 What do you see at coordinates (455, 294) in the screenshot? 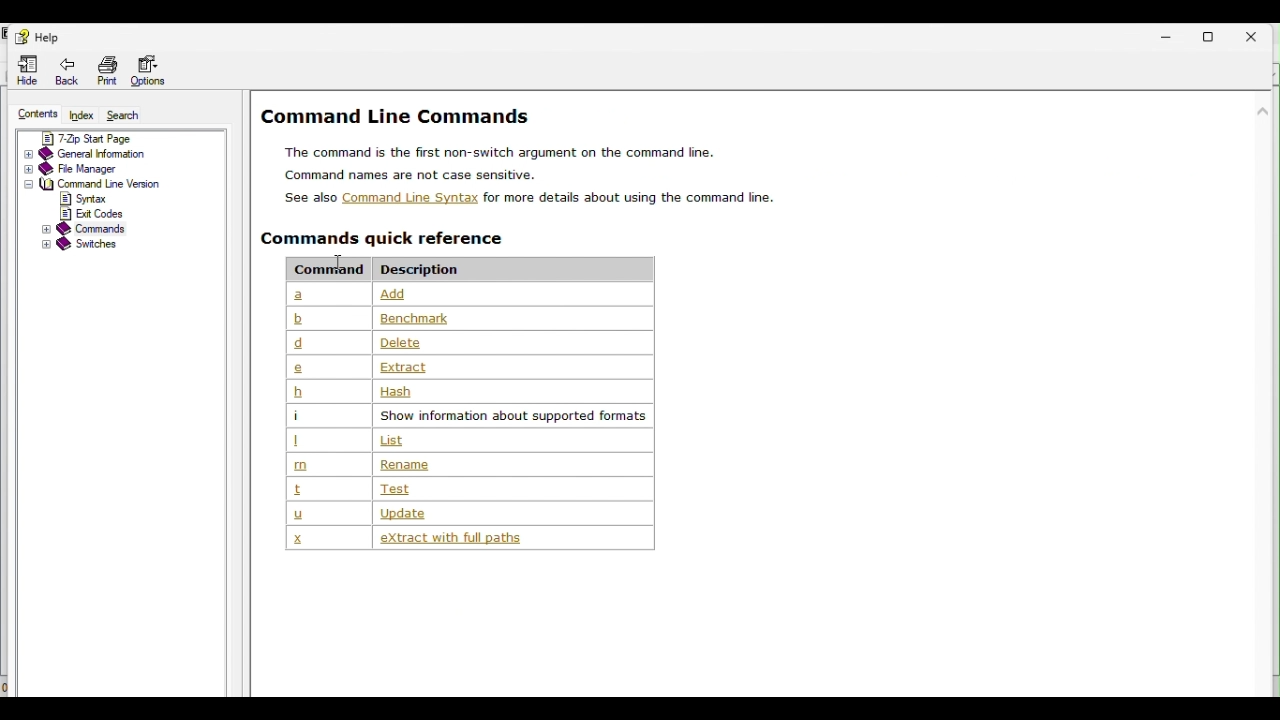
I see `description` at bounding box center [455, 294].